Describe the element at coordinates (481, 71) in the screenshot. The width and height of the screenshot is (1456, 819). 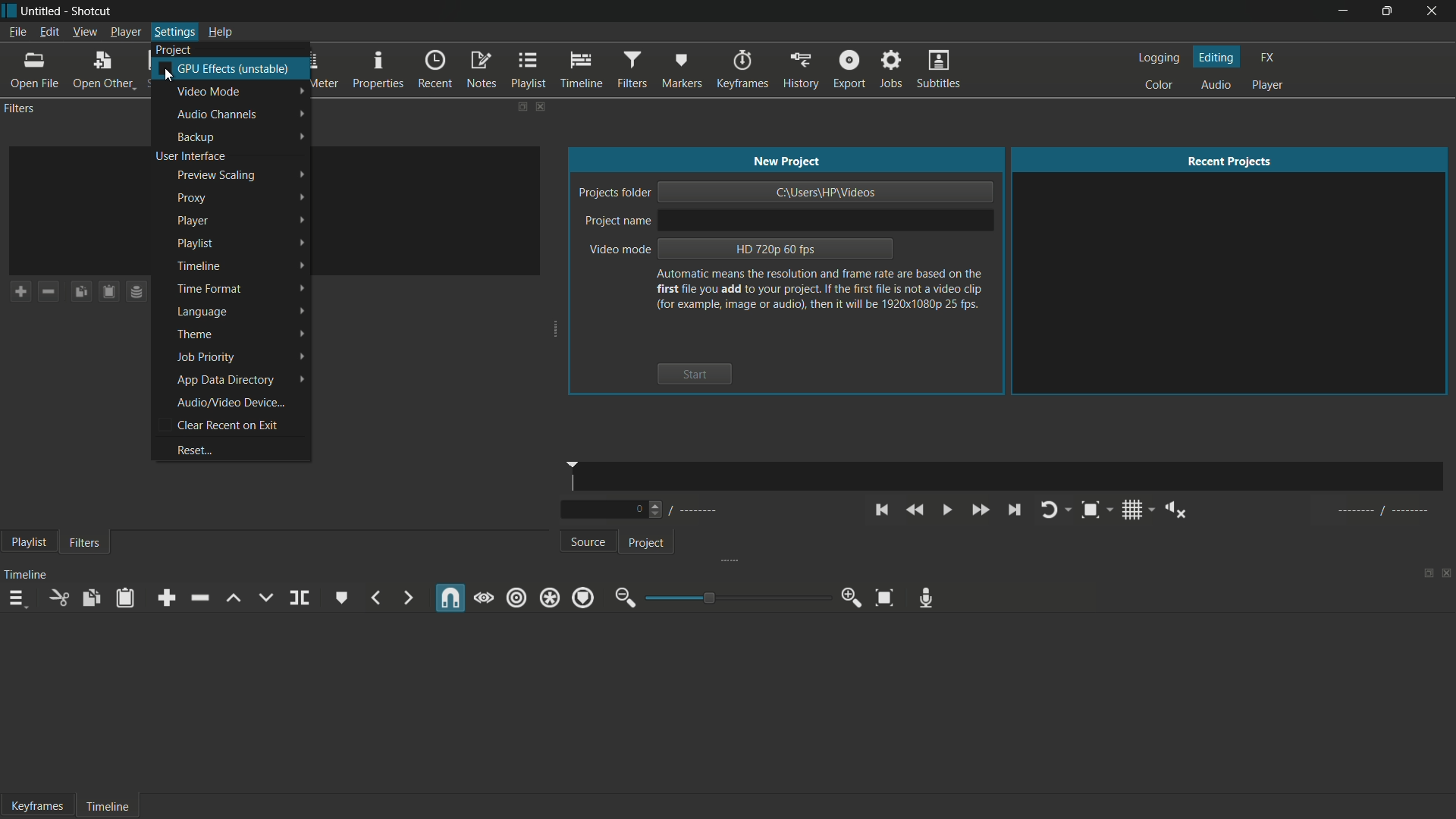
I see `notes` at that location.